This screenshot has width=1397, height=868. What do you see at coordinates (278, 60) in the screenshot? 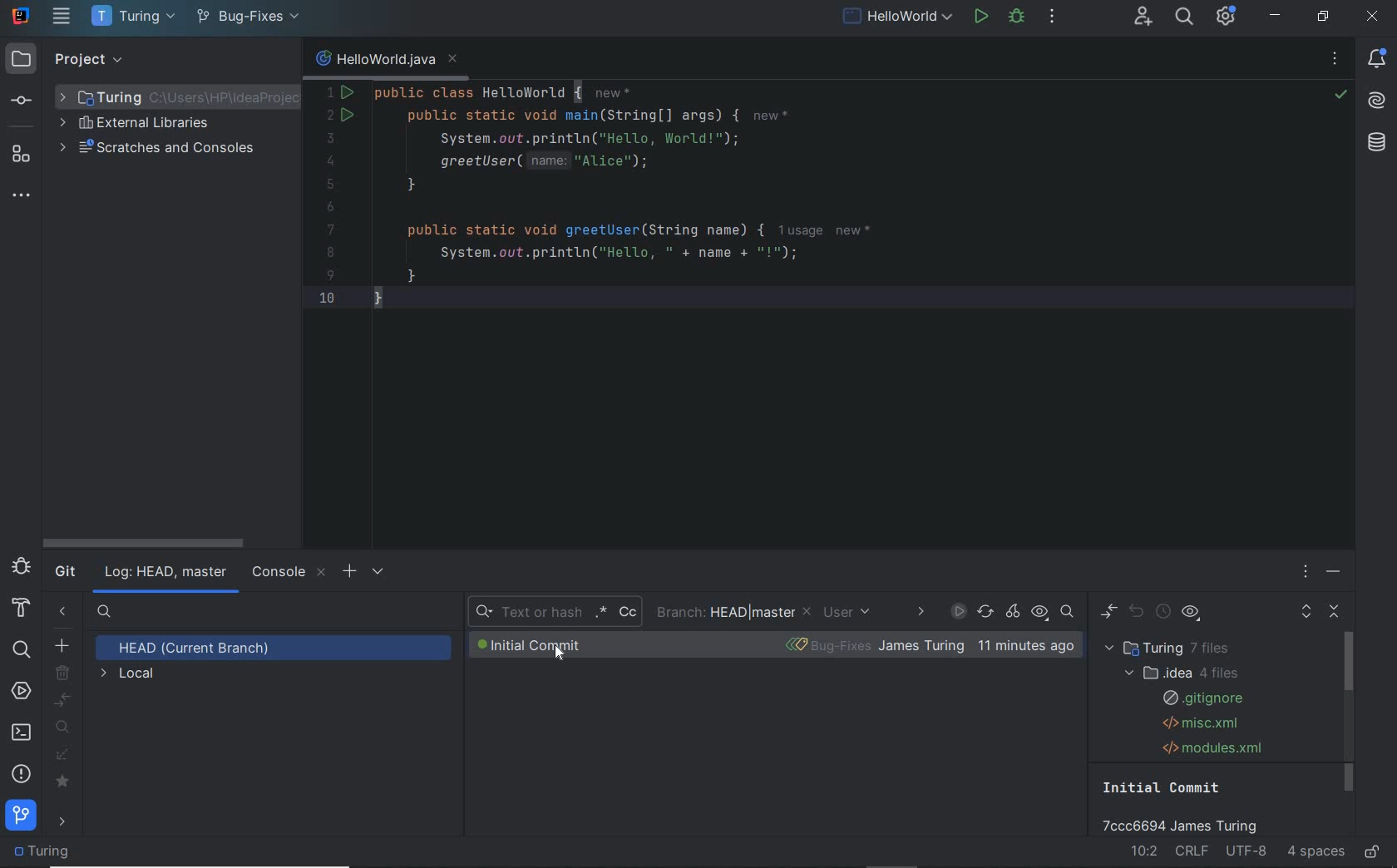
I see `hide` at bounding box center [278, 60].